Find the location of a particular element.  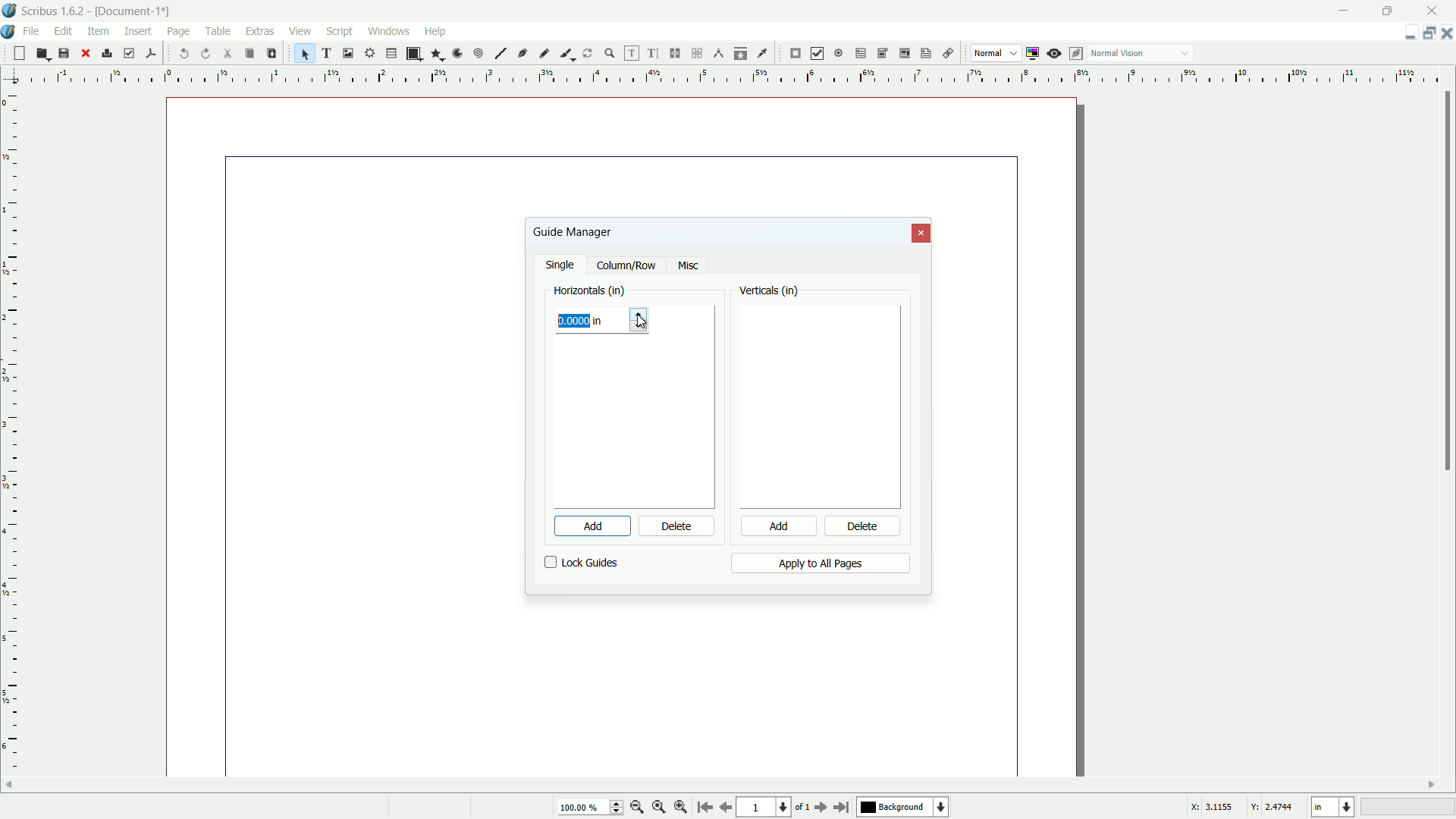

measurements is located at coordinates (719, 54).